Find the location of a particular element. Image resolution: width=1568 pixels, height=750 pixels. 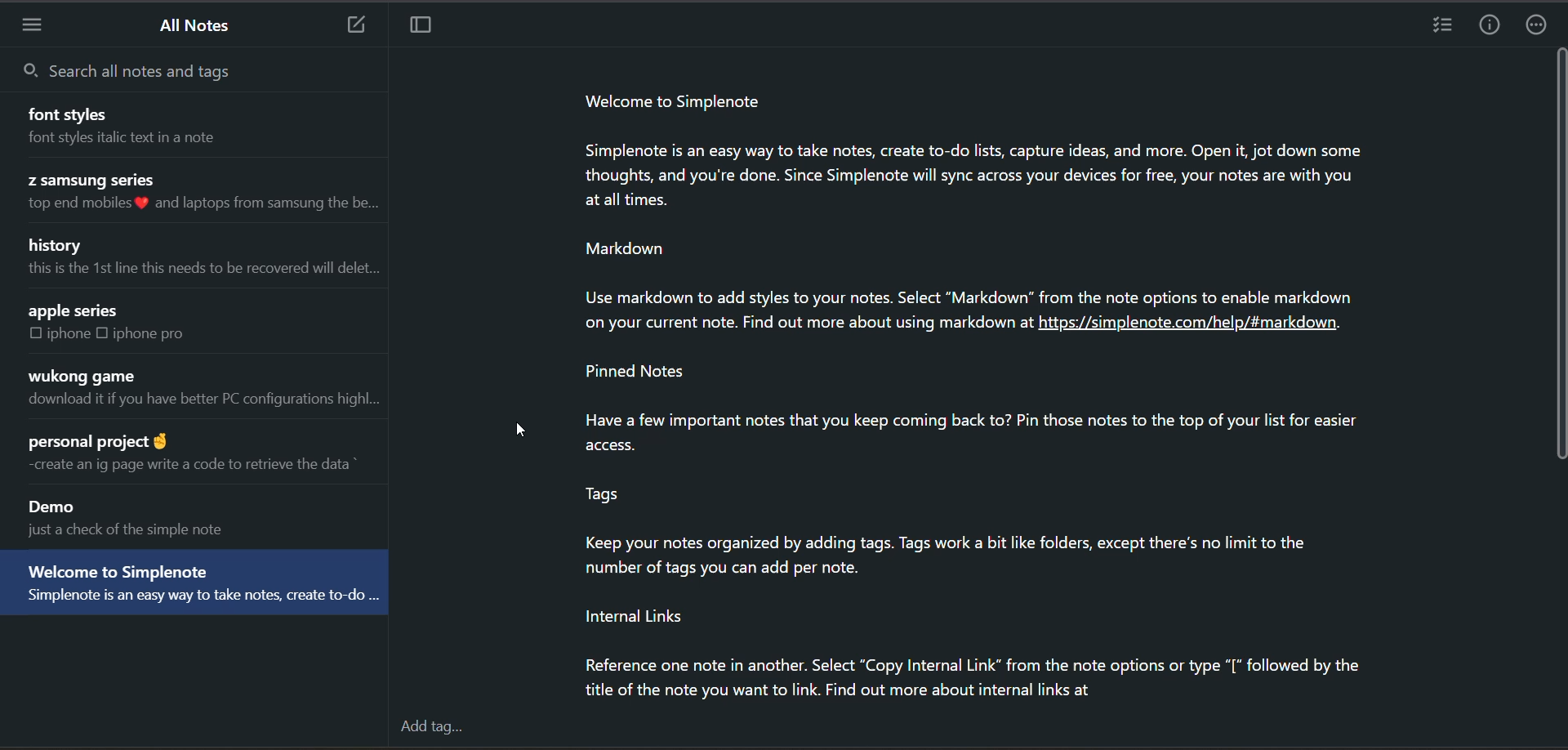

all notes is located at coordinates (197, 27).